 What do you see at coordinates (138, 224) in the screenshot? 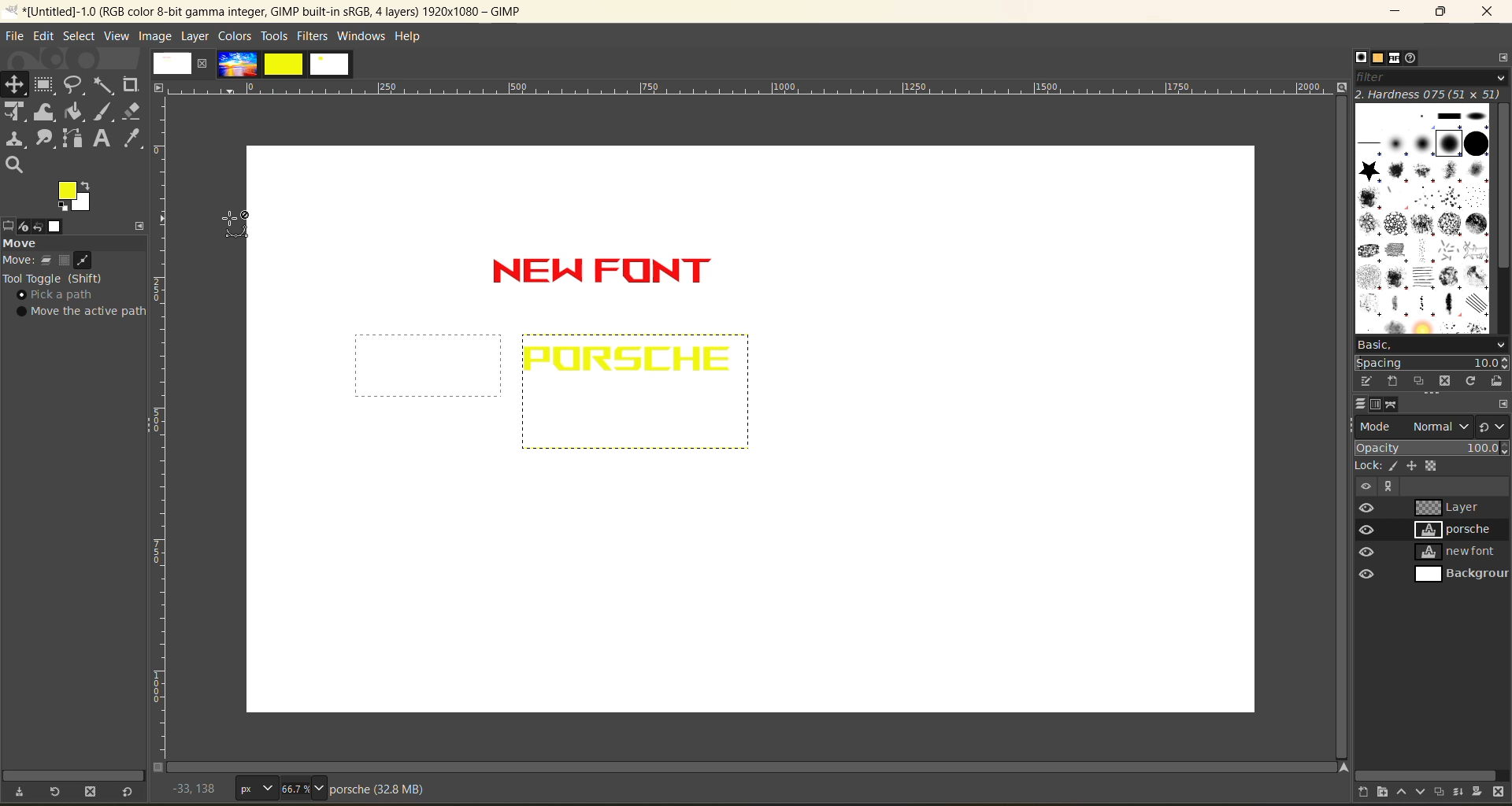
I see `configure` at bounding box center [138, 224].